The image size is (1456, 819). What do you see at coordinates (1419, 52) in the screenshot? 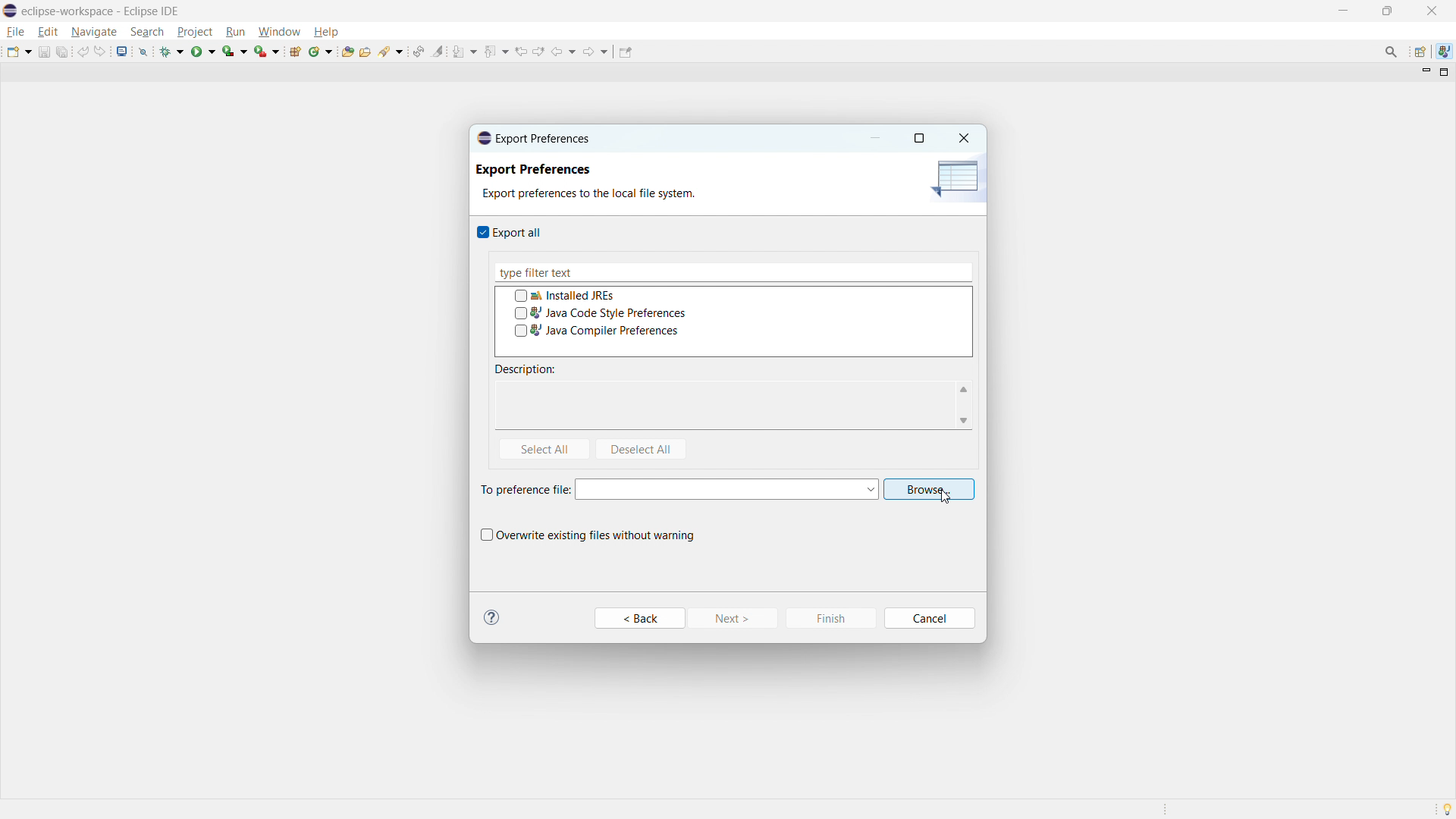
I see `open perspective` at bounding box center [1419, 52].